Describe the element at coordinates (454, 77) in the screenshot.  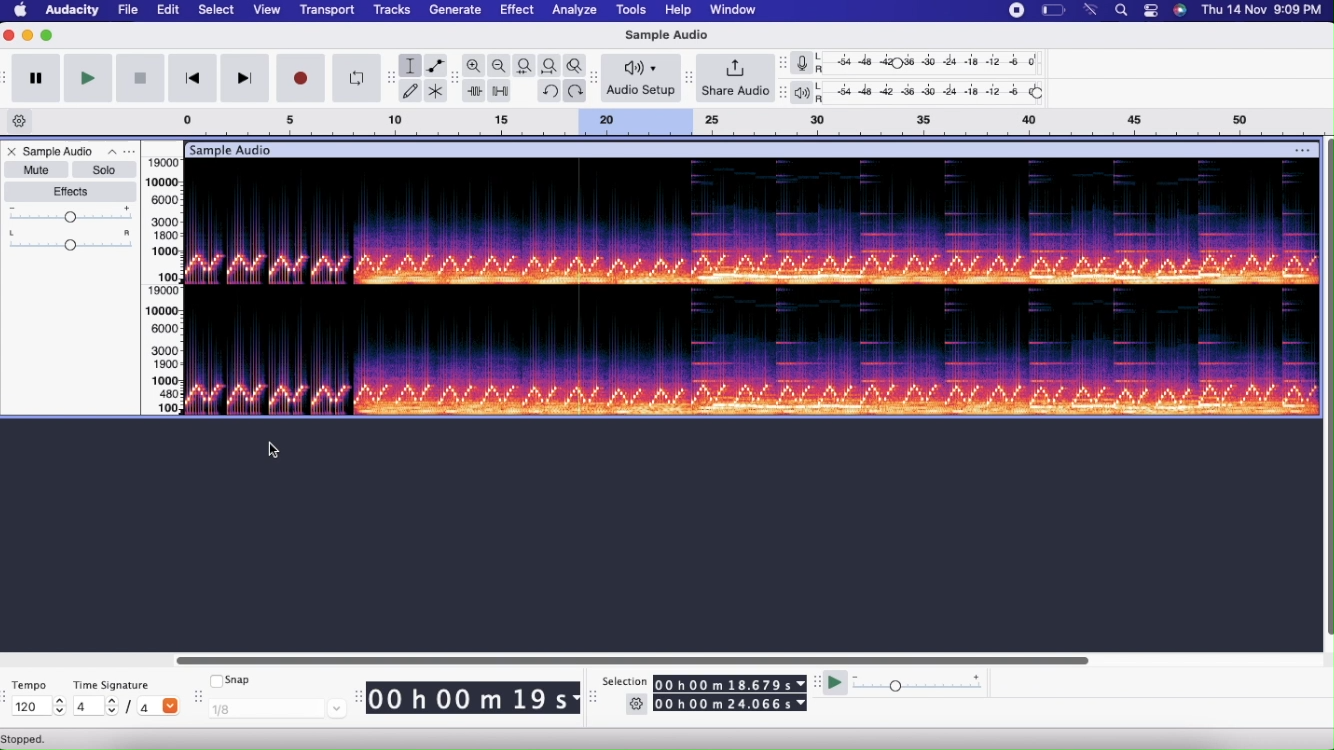
I see `move toolbar` at that location.